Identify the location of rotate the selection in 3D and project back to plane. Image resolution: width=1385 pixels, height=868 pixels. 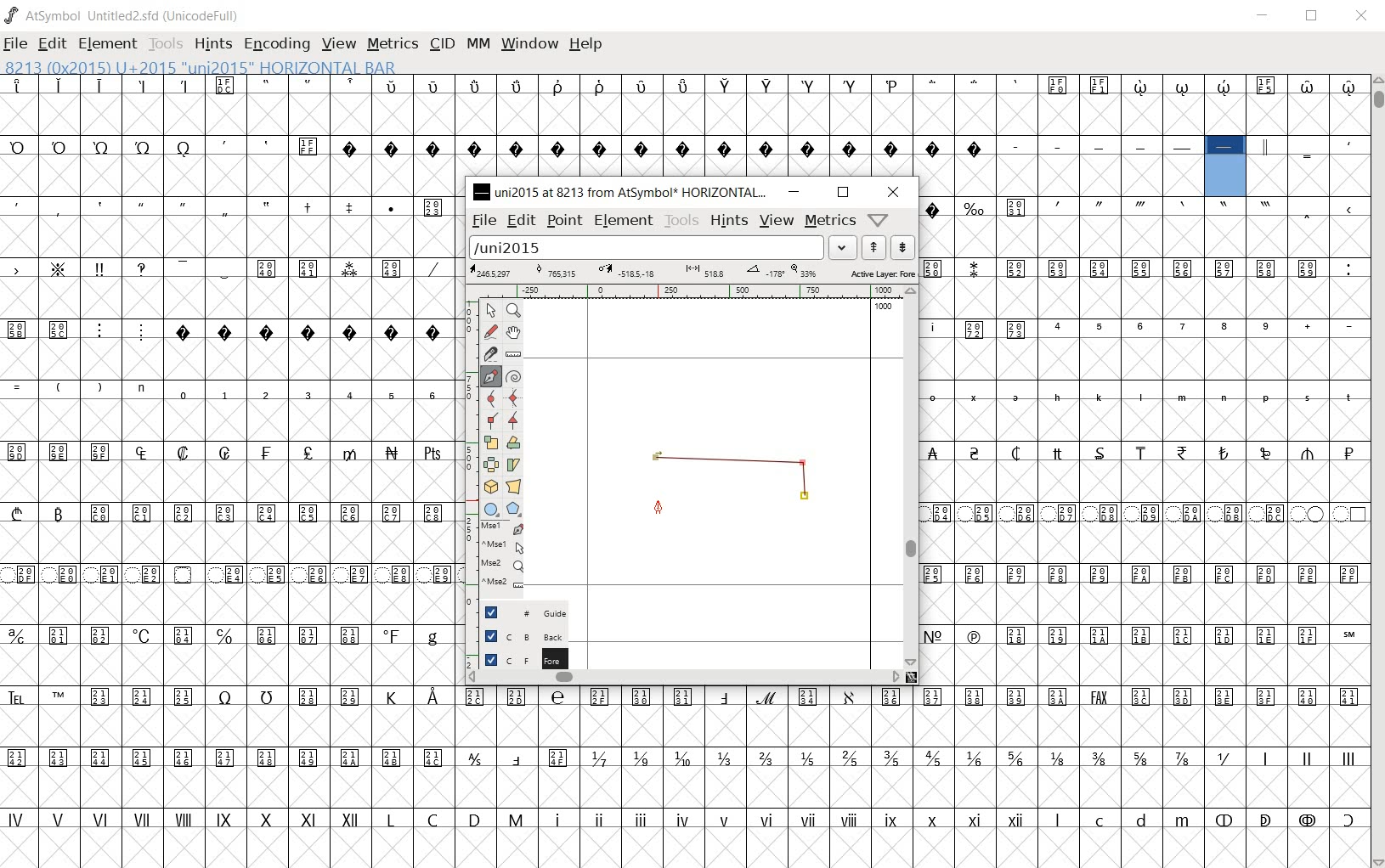
(489, 486).